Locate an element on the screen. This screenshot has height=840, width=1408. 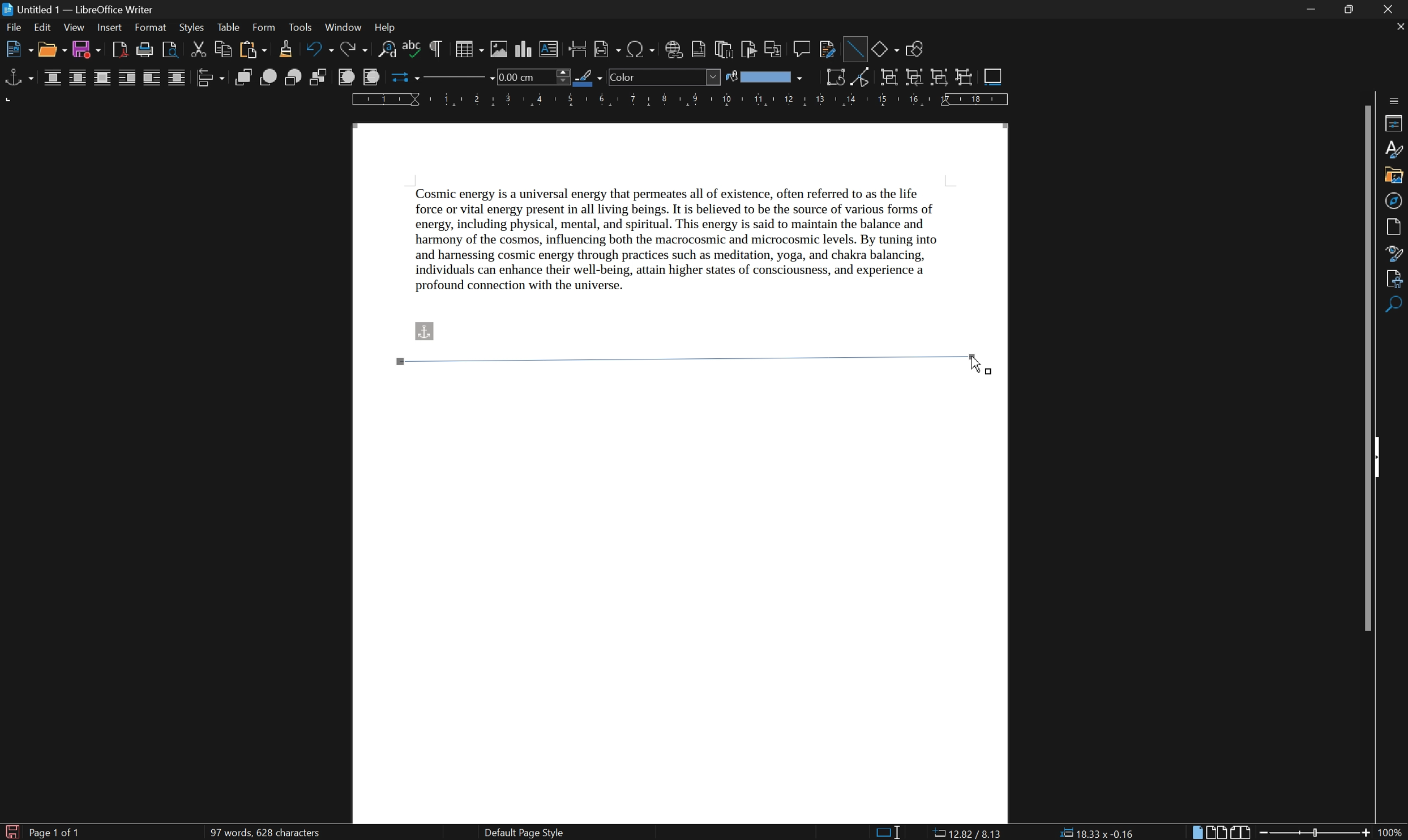
default page style is located at coordinates (523, 833).